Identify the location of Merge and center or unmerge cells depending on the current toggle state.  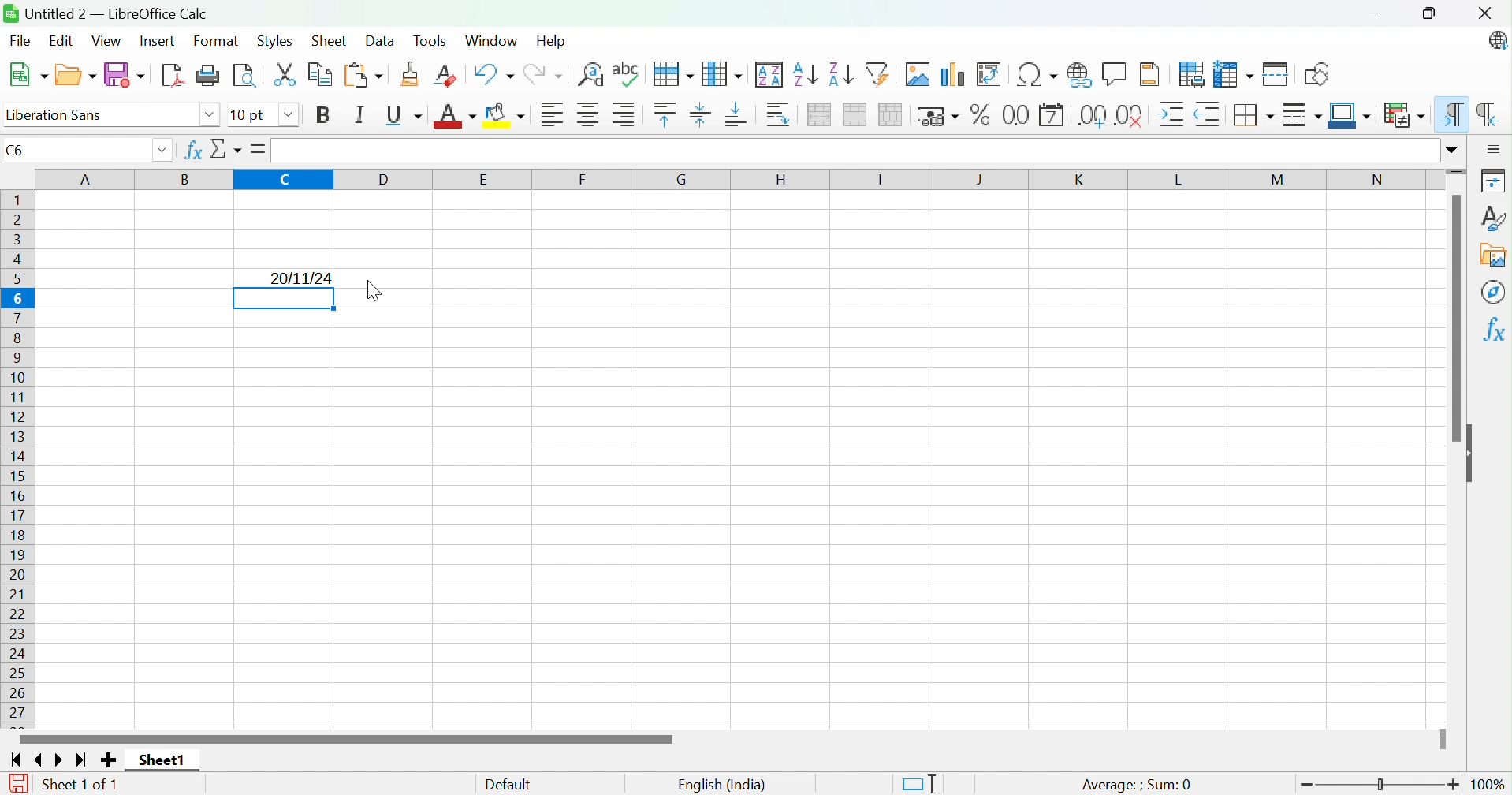
(821, 115).